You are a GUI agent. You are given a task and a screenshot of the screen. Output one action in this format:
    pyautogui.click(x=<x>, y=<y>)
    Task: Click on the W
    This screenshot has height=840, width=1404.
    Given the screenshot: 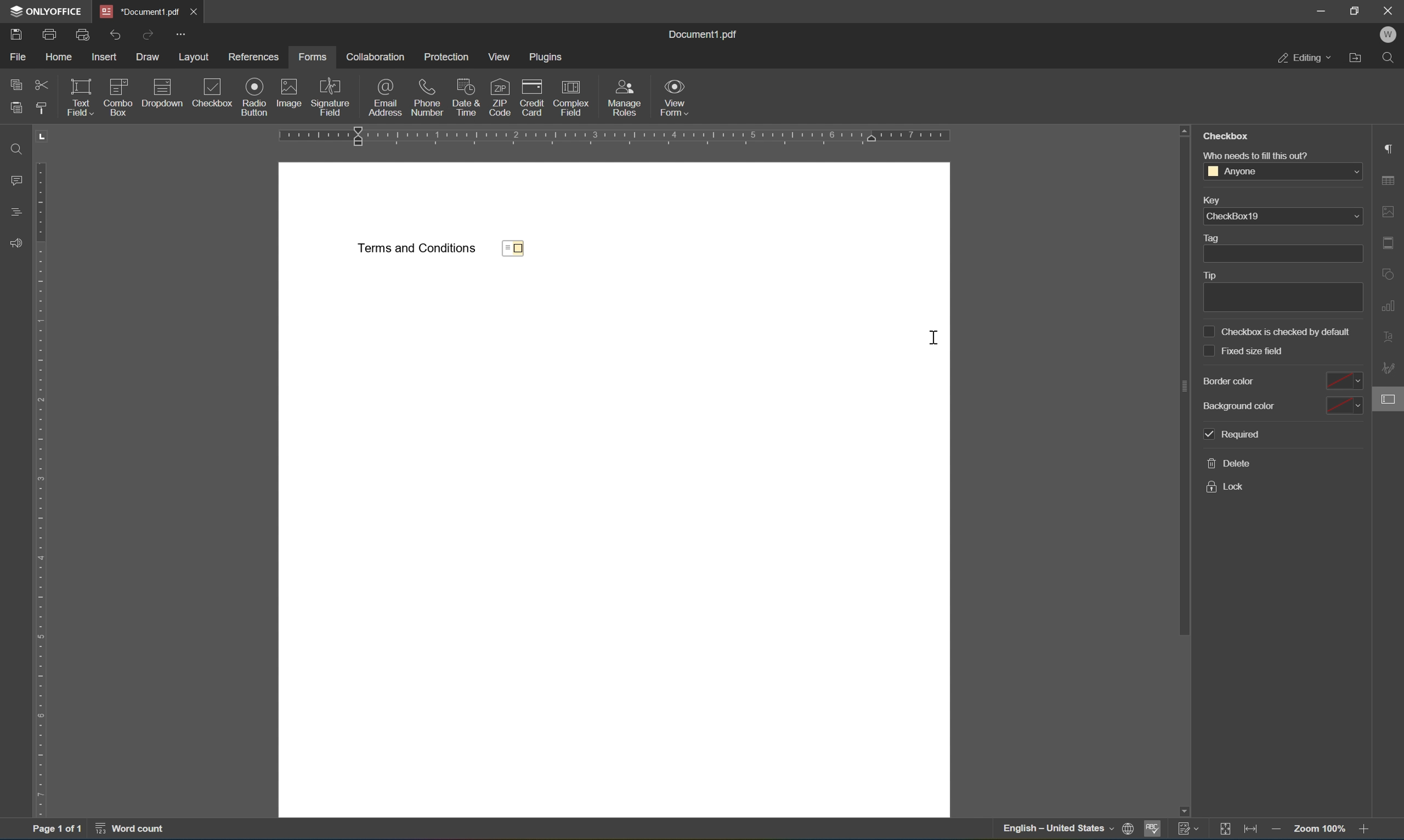 What is the action you would take?
    pyautogui.click(x=1392, y=34)
    